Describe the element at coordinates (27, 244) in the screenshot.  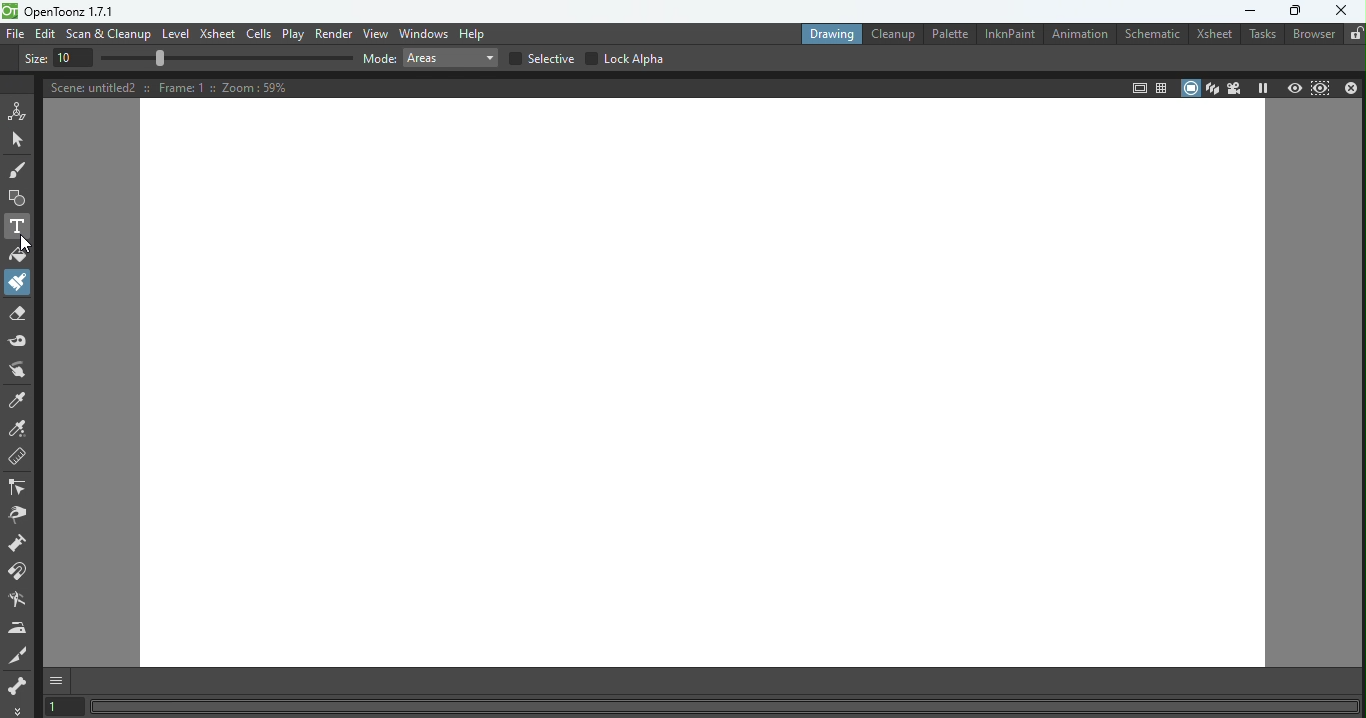
I see `cursor` at that location.